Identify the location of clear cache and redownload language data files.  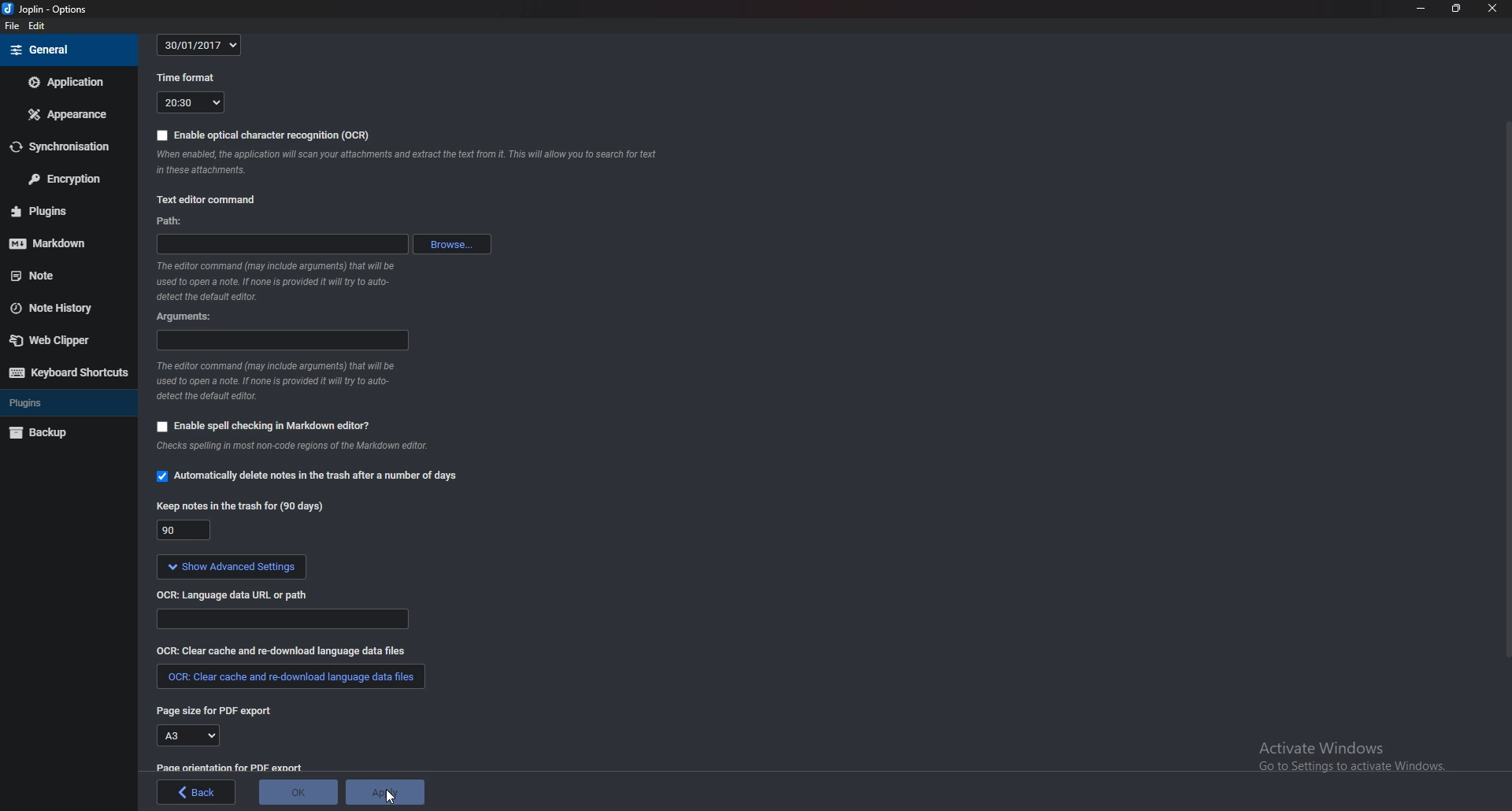
(288, 680).